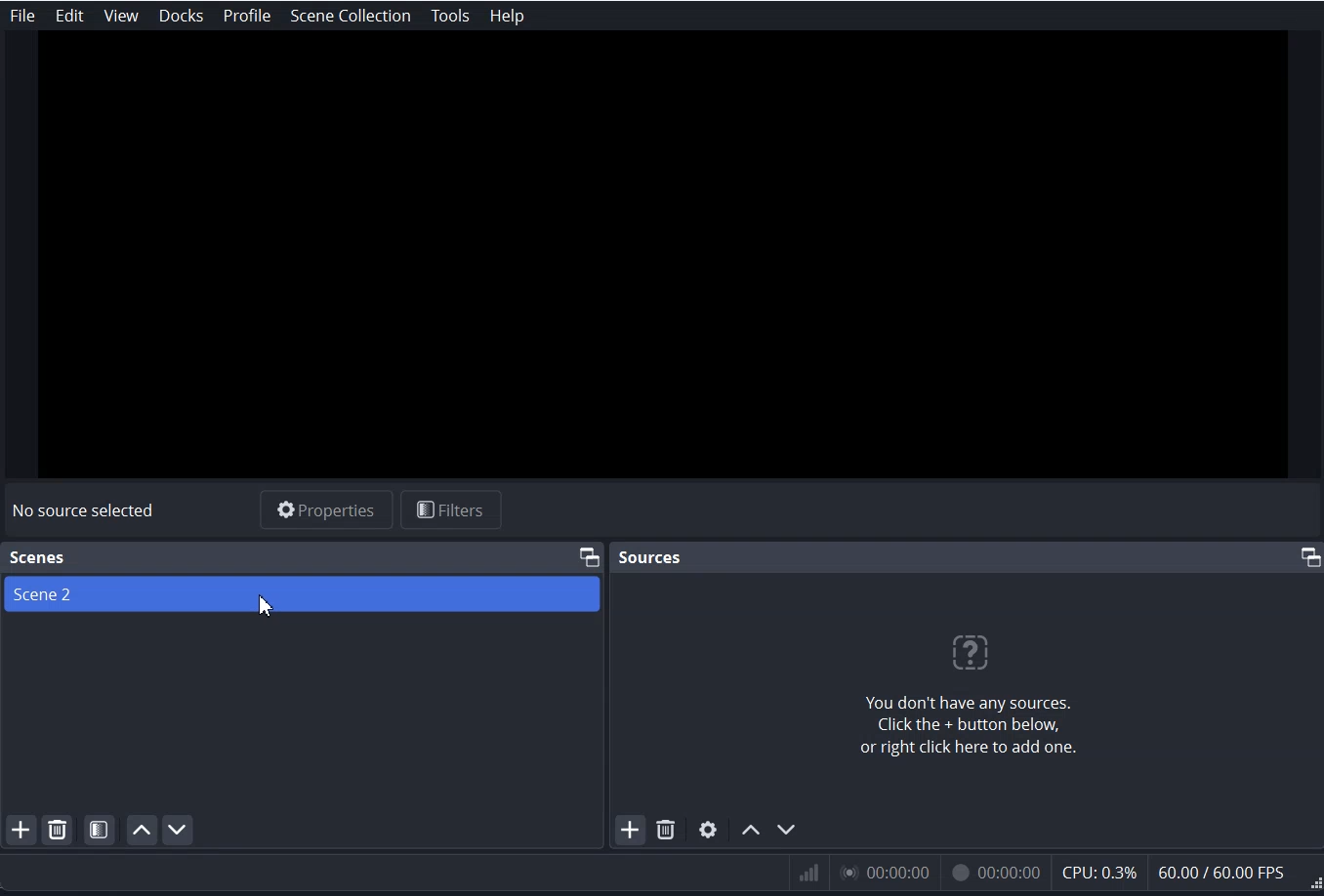  Describe the element at coordinates (1309, 557) in the screenshot. I see `Maximize` at that location.